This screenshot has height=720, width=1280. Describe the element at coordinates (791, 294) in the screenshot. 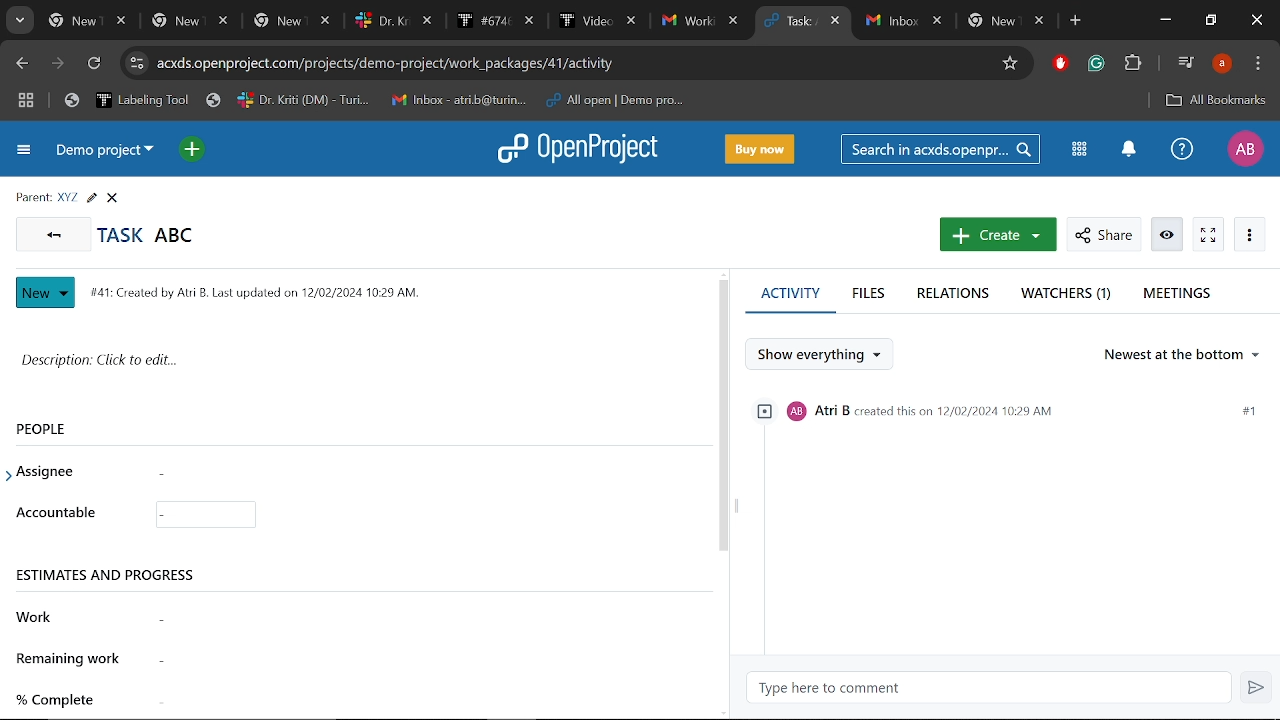

I see `Activity` at that location.